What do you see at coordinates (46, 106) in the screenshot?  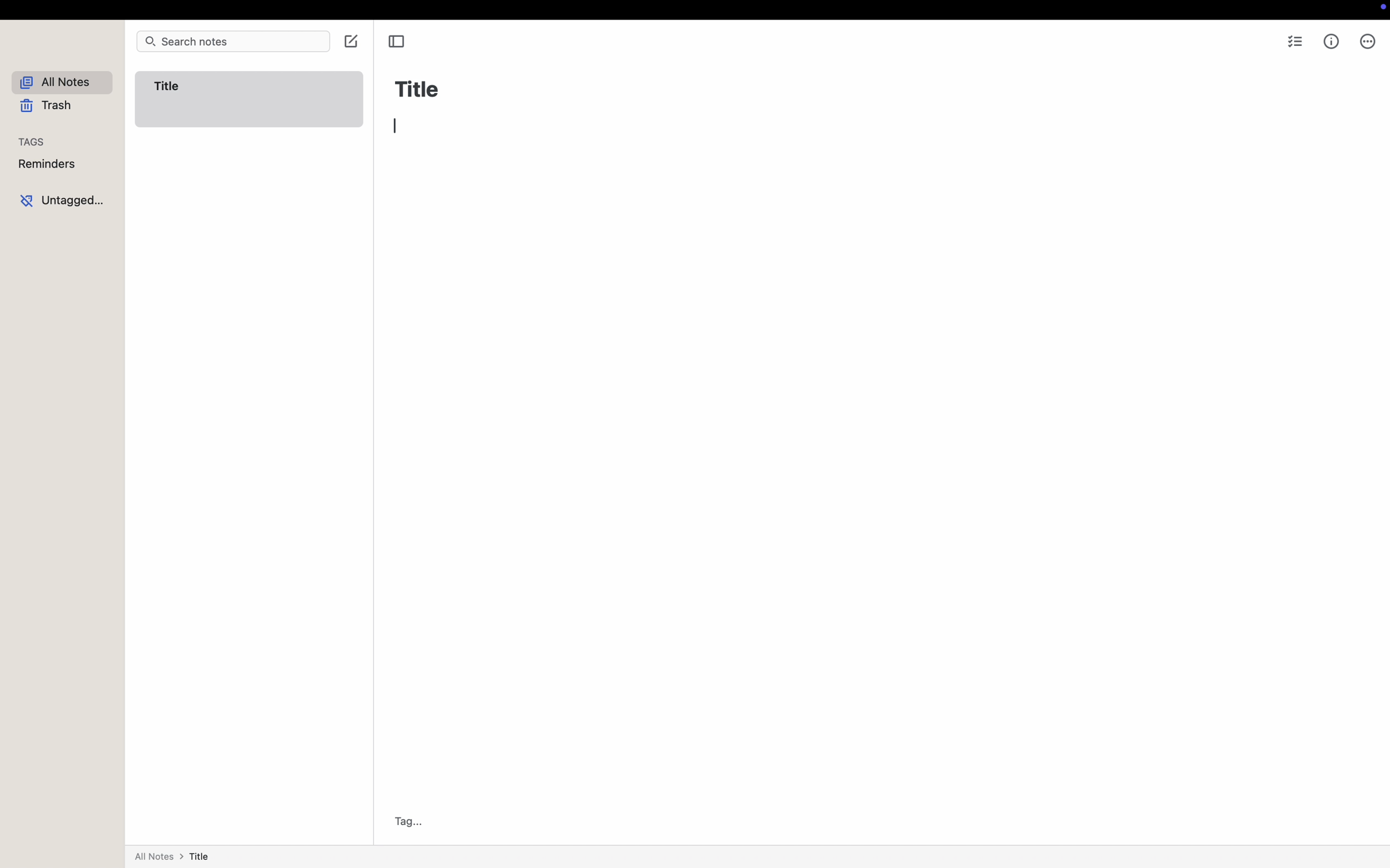 I see `trash` at bounding box center [46, 106].